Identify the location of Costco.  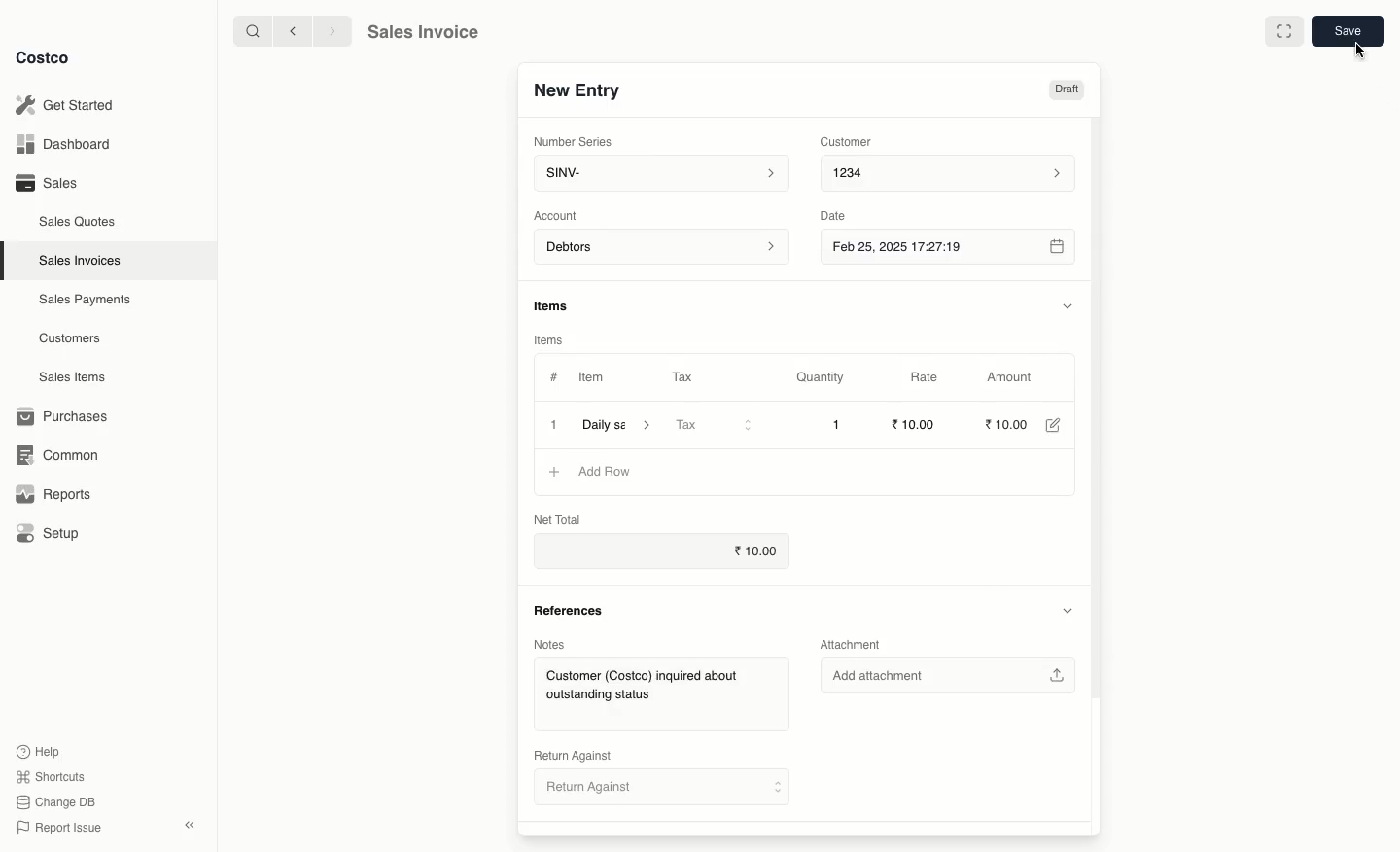
(45, 57).